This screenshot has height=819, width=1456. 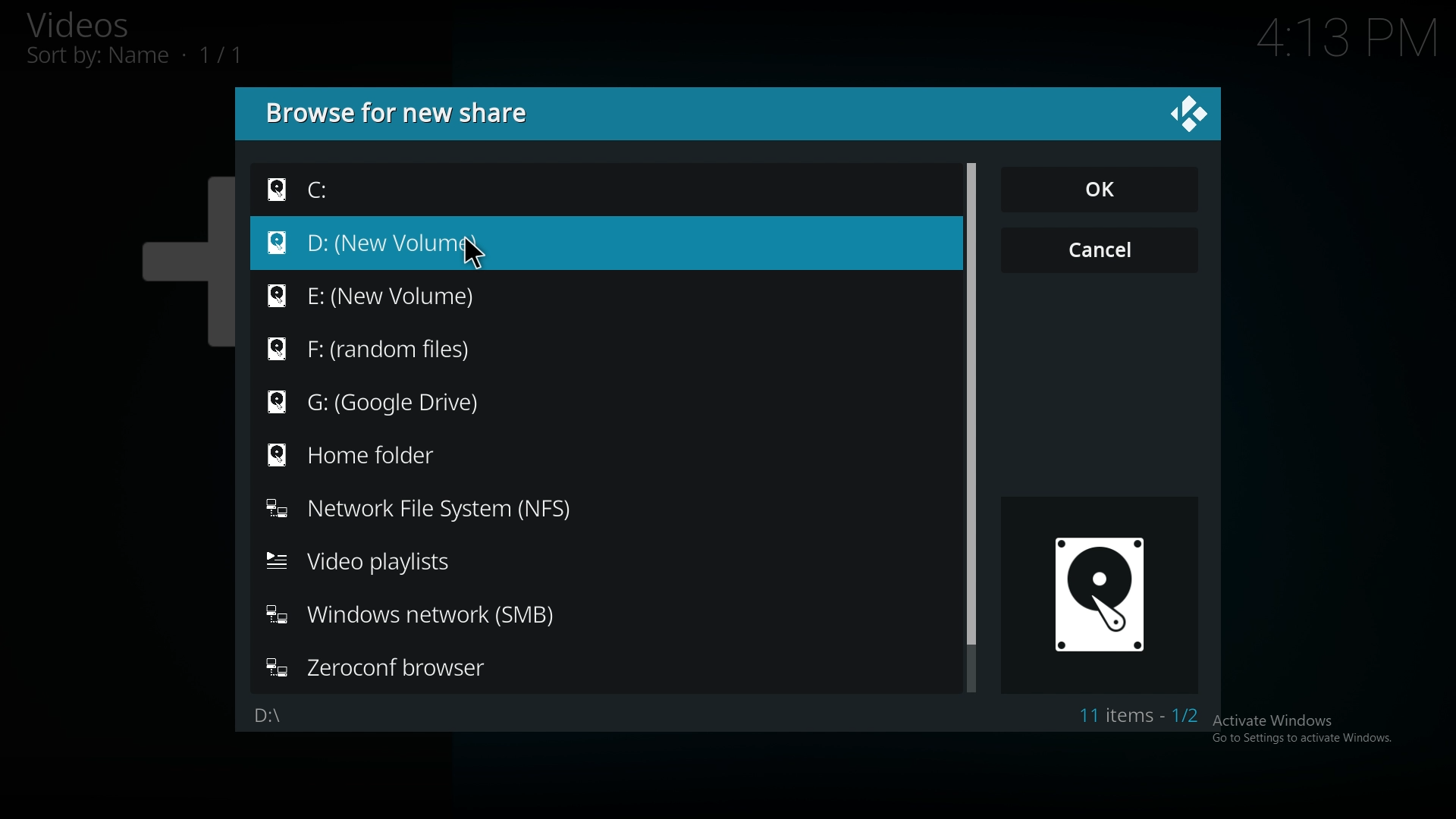 What do you see at coordinates (374, 457) in the screenshot?
I see `folder` at bounding box center [374, 457].